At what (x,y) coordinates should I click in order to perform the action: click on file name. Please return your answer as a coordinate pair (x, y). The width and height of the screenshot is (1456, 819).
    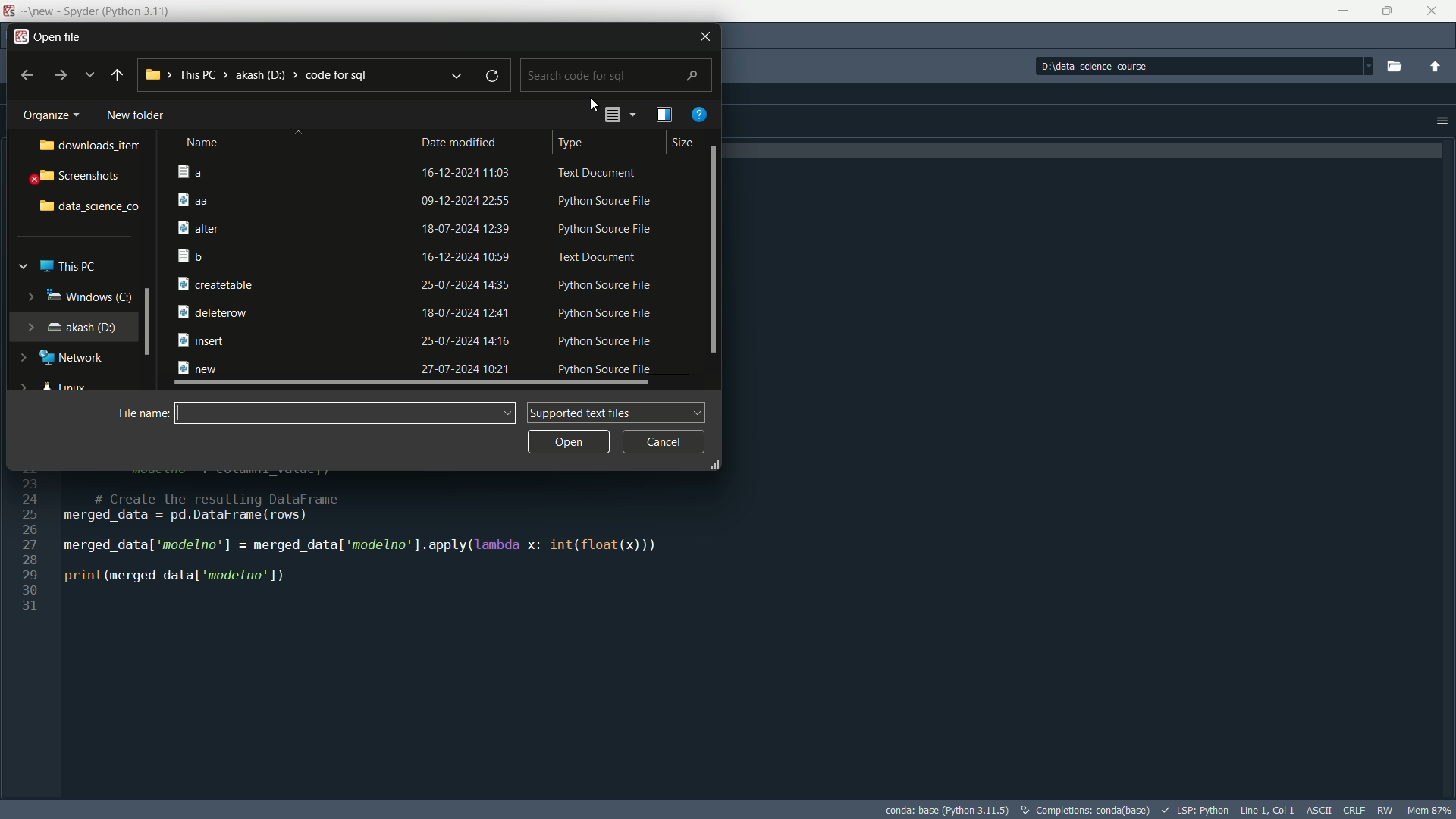
    Looking at the image, I should click on (142, 413).